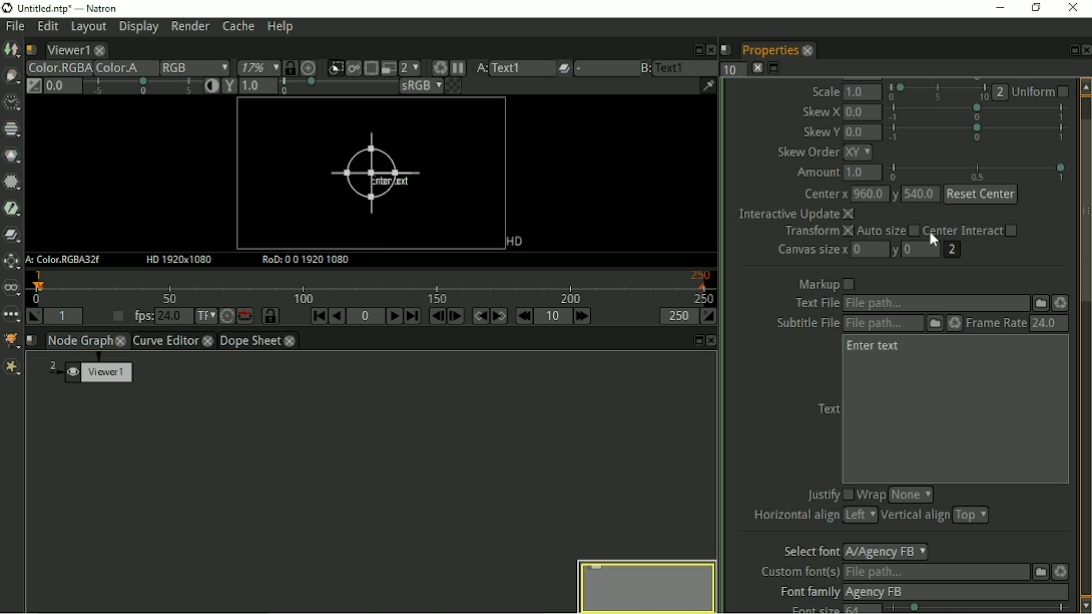  I want to click on Interactive Update, so click(794, 215).